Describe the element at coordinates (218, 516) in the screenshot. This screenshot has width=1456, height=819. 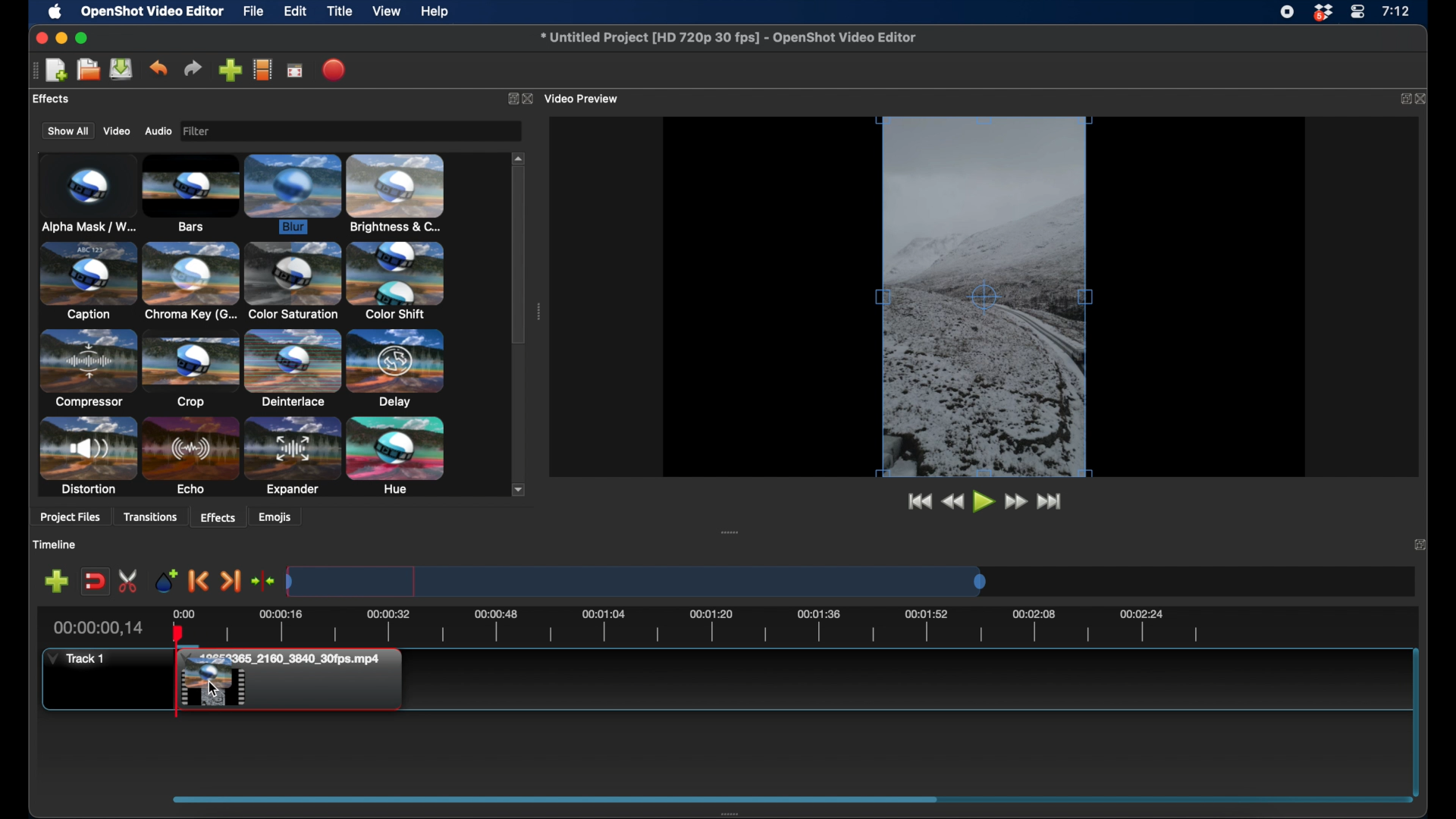
I see `effects` at that location.